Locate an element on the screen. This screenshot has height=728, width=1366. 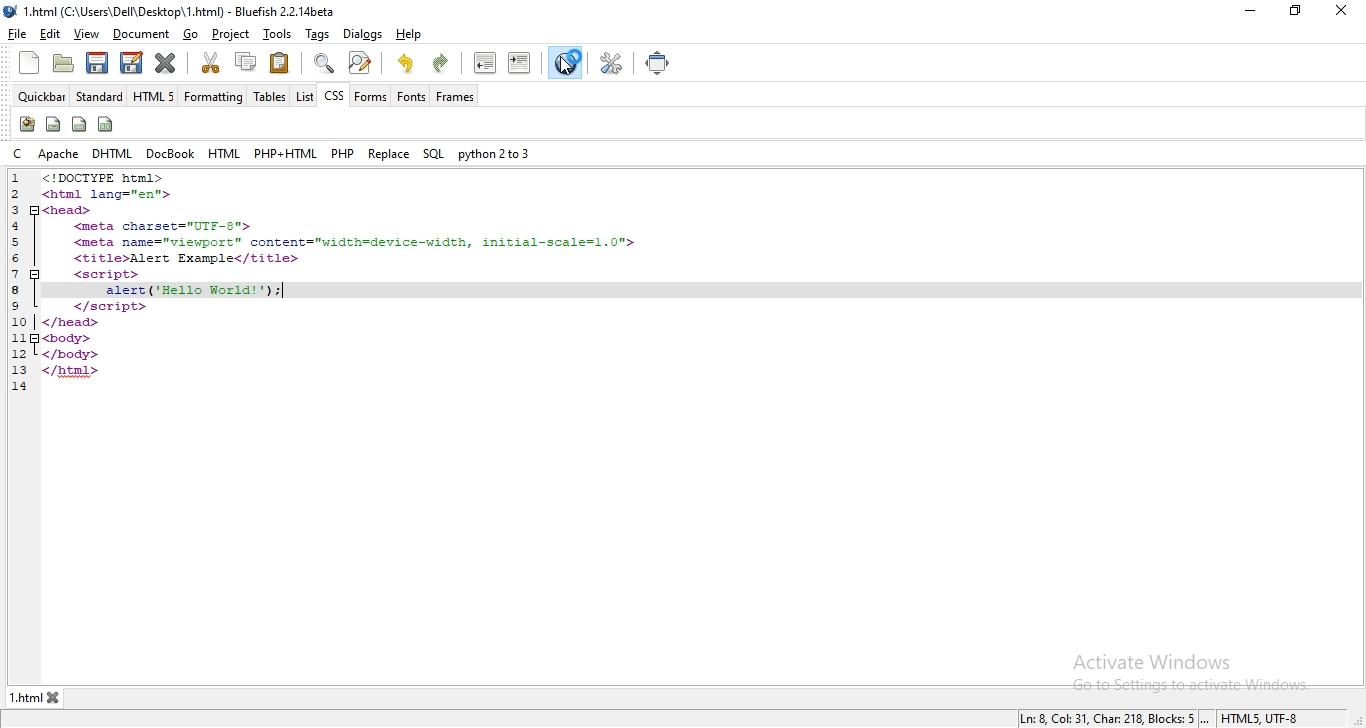
full screen is located at coordinates (663, 64).